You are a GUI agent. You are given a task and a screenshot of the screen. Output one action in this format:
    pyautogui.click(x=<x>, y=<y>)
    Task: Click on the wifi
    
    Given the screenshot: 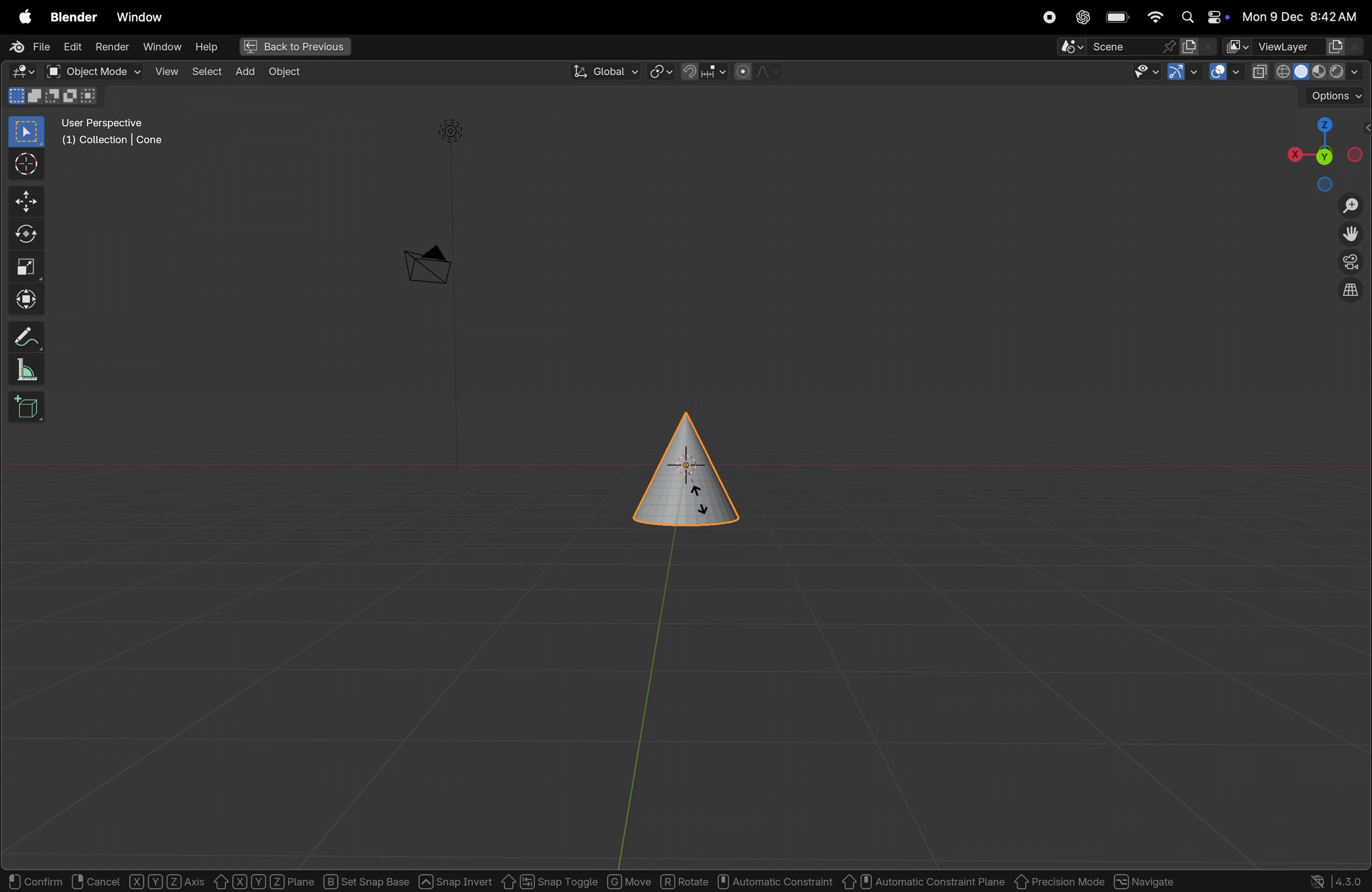 What is the action you would take?
    pyautogui.click(x=1155, y=17)
    